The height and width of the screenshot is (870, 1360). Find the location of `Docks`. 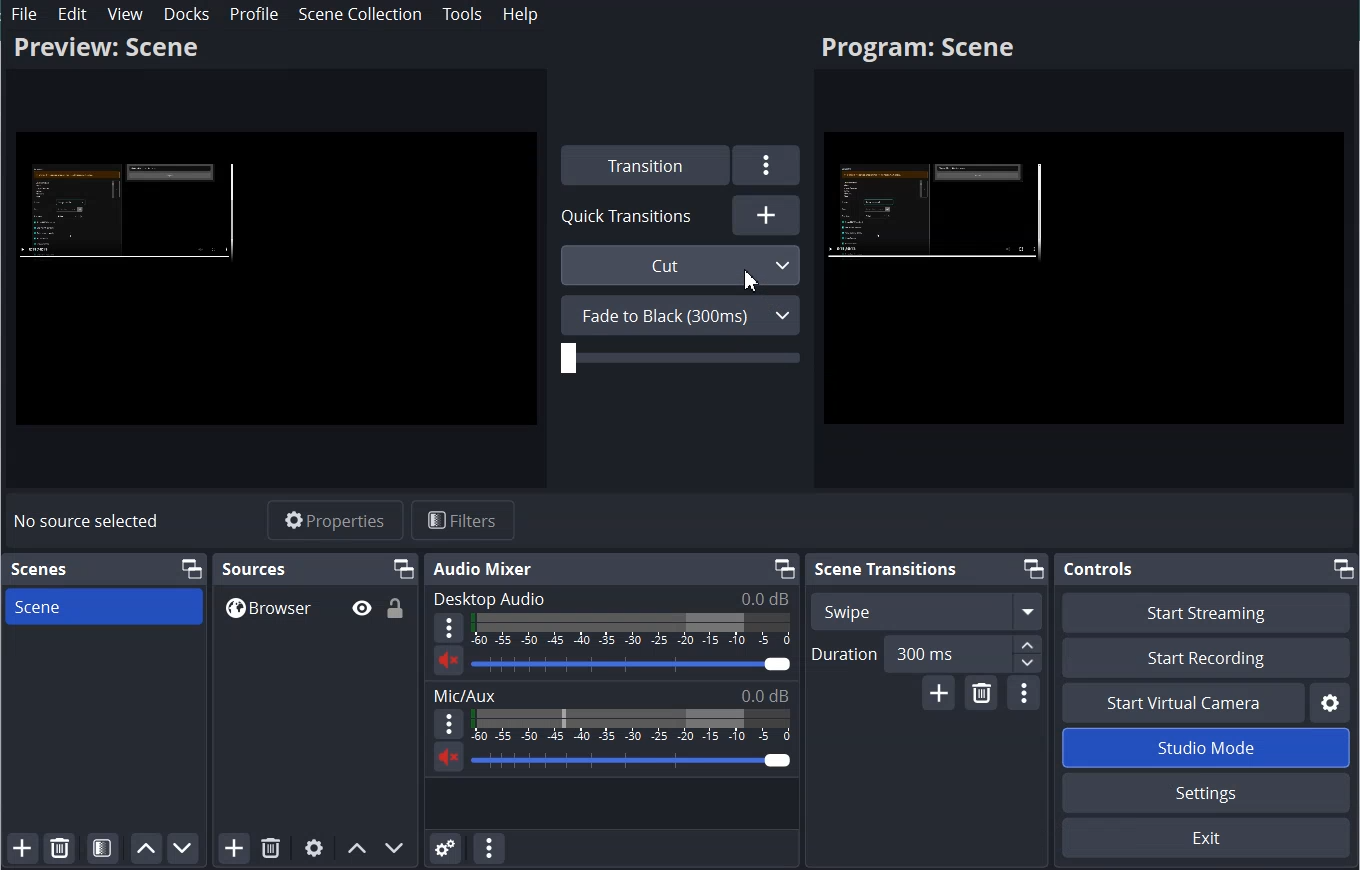

Docks is located at coordinates (187, 14).